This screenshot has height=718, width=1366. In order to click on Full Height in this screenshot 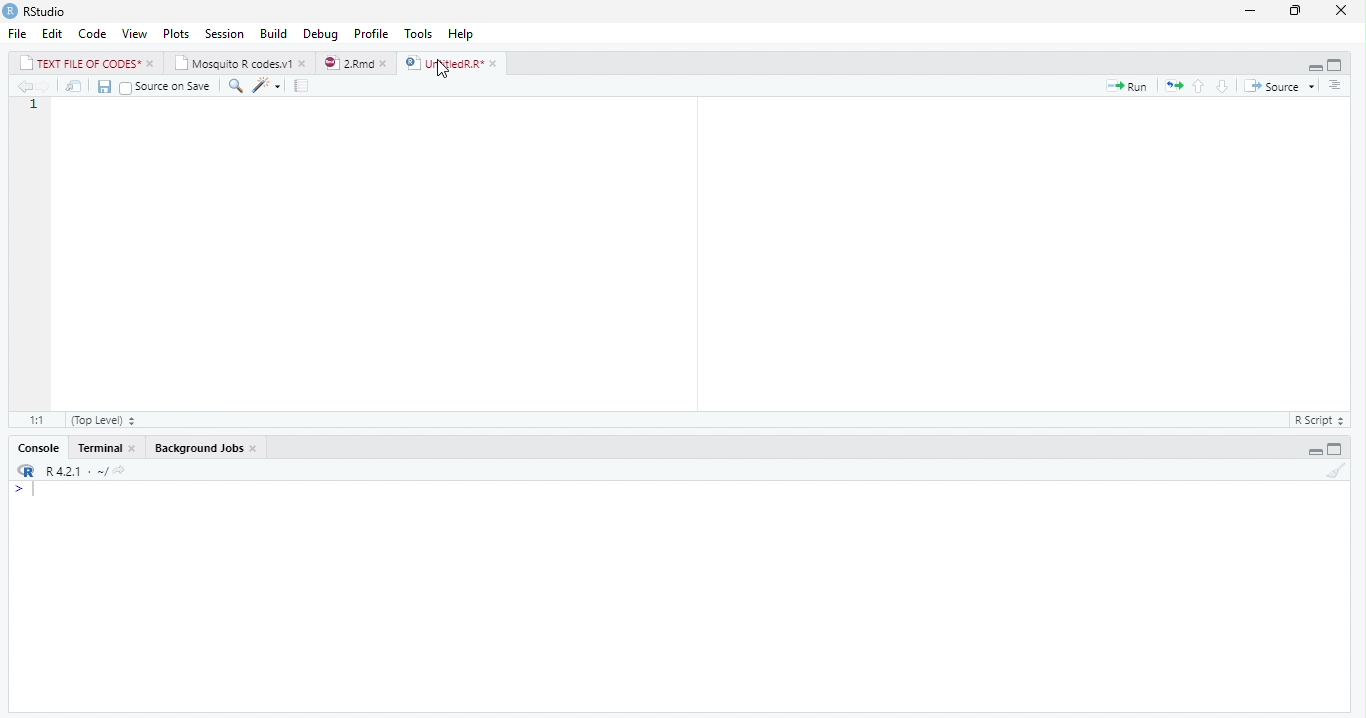, I will do `click(1335, 65)`.